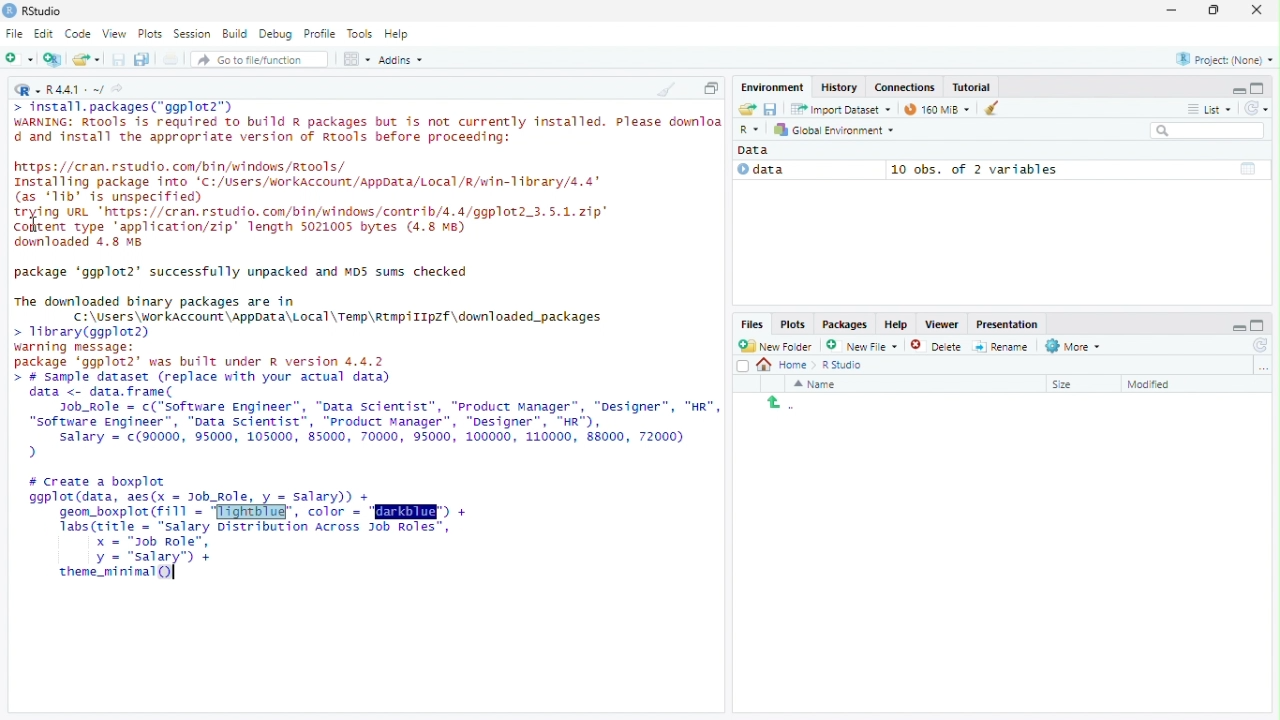  I want to click on Import Dataset, so click(840, 110).